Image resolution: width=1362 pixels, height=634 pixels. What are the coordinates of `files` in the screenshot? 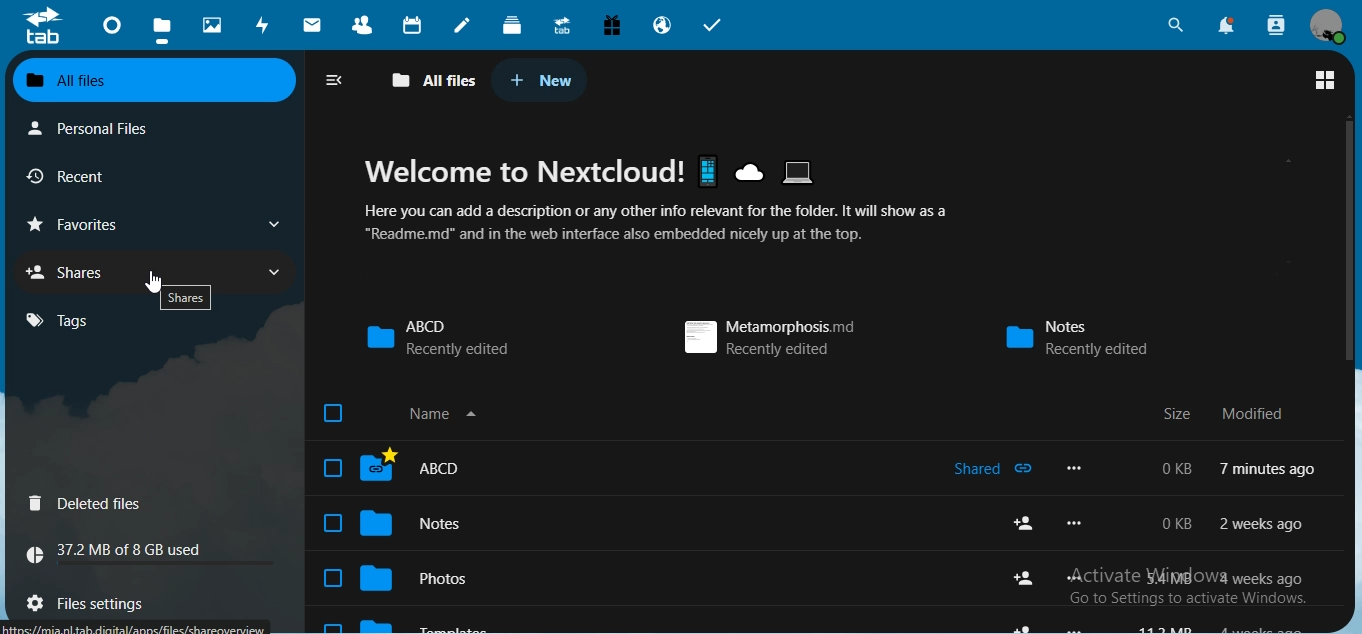 It's located at (161, 27).